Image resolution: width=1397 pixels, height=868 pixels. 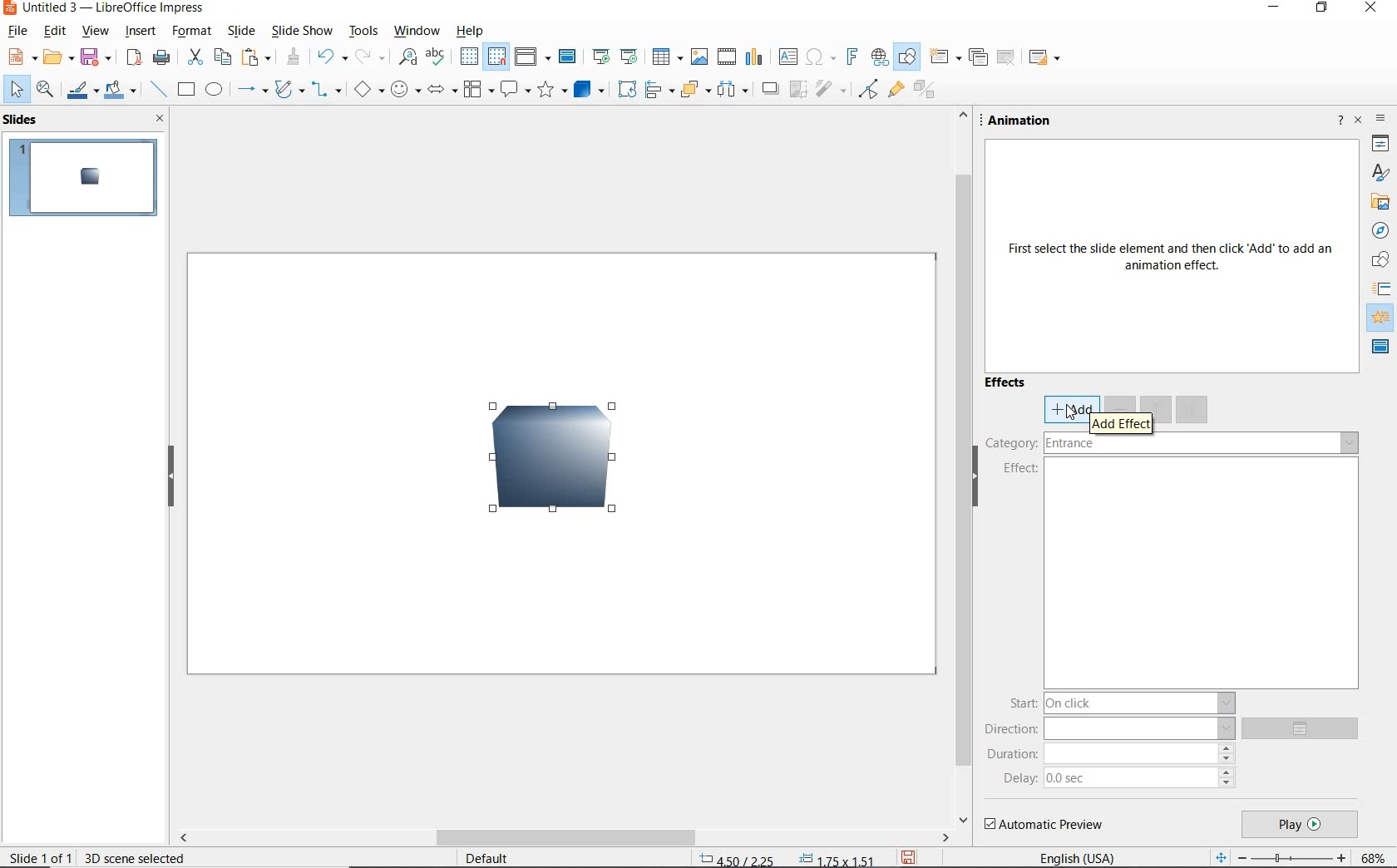 I want to click on duplicate slide, so click(x=978, y=57).